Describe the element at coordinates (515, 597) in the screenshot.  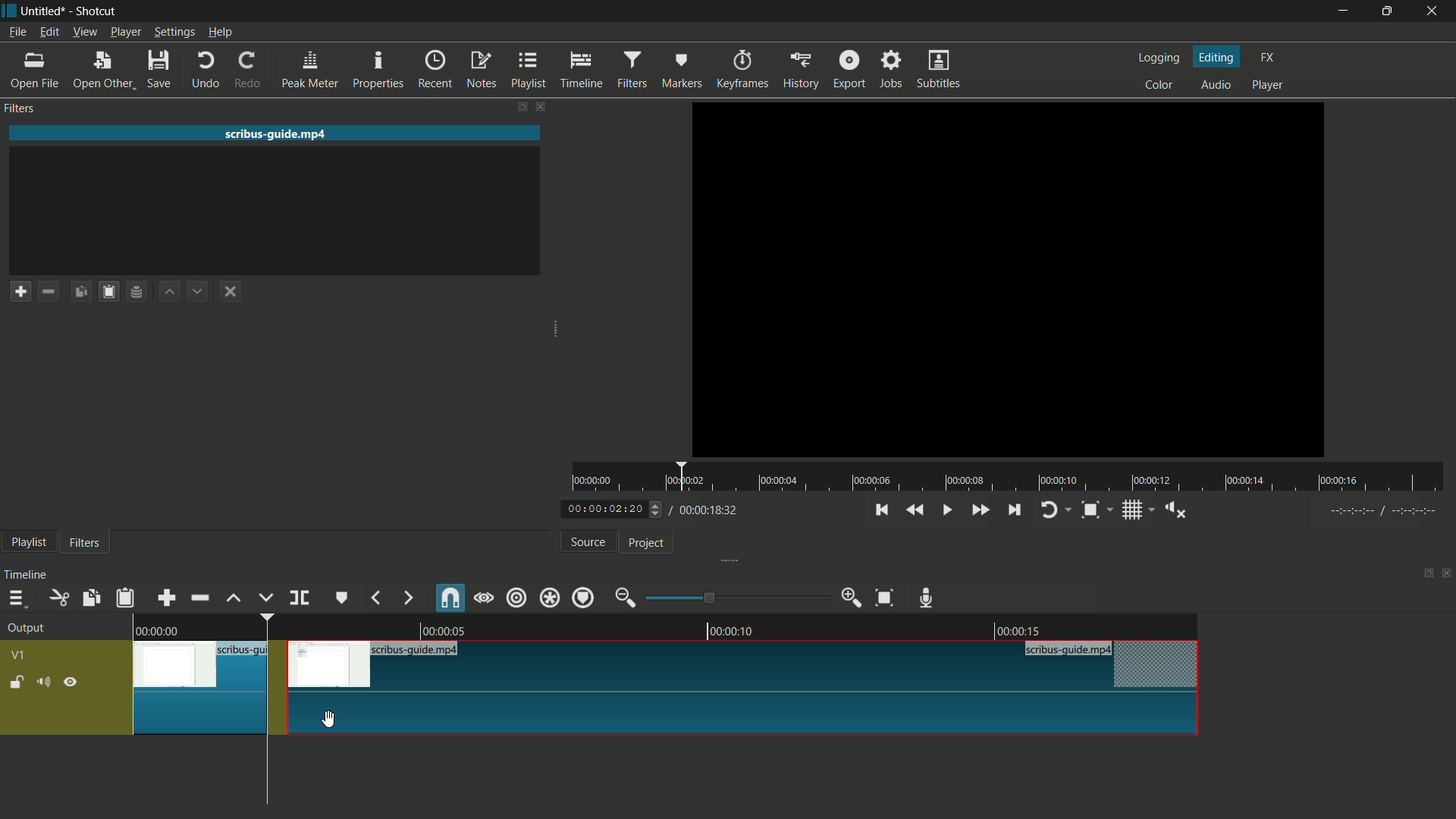
I see `ripple` at that location.